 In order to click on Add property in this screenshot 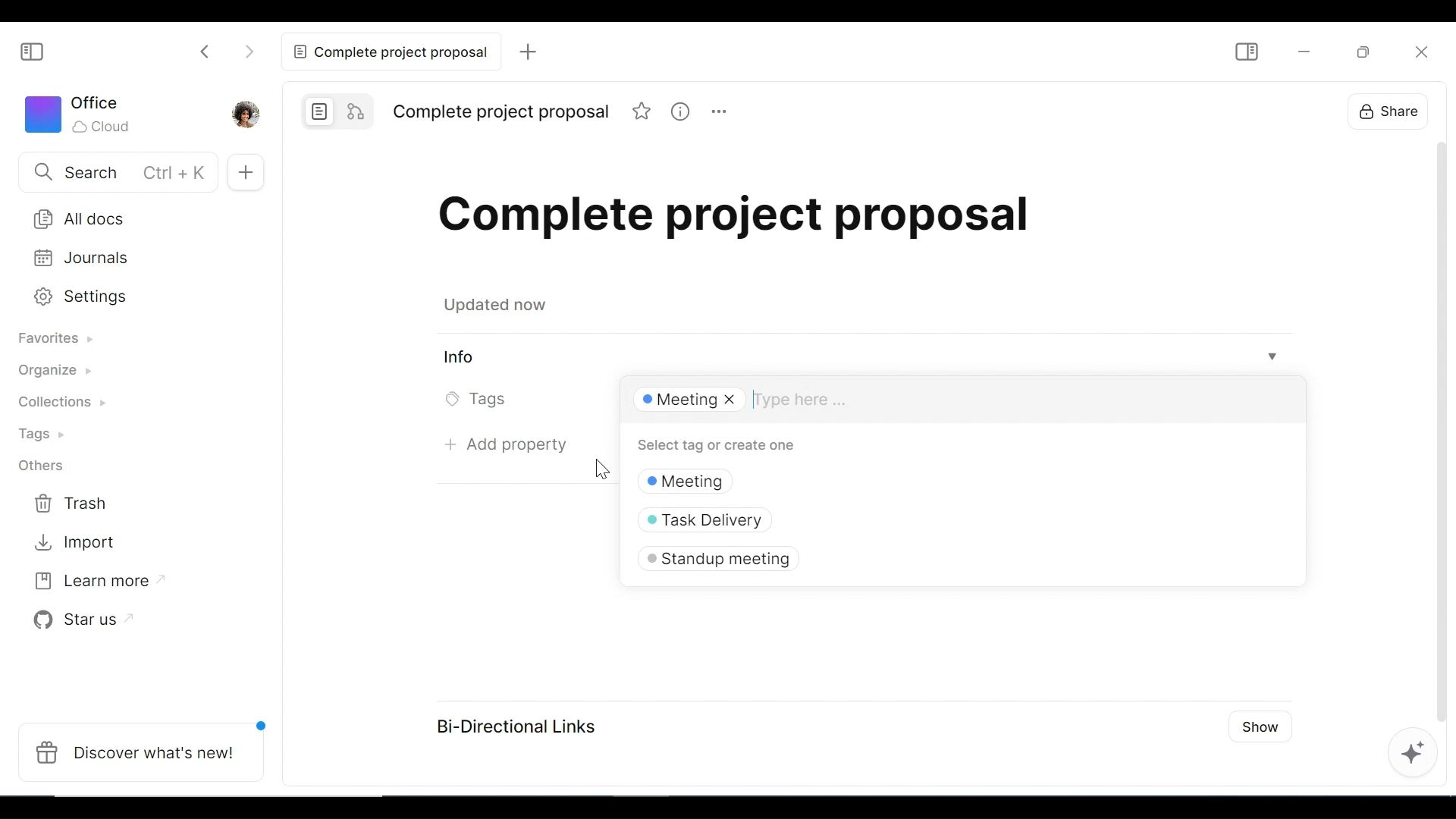, I will do `click(502, 449)`.